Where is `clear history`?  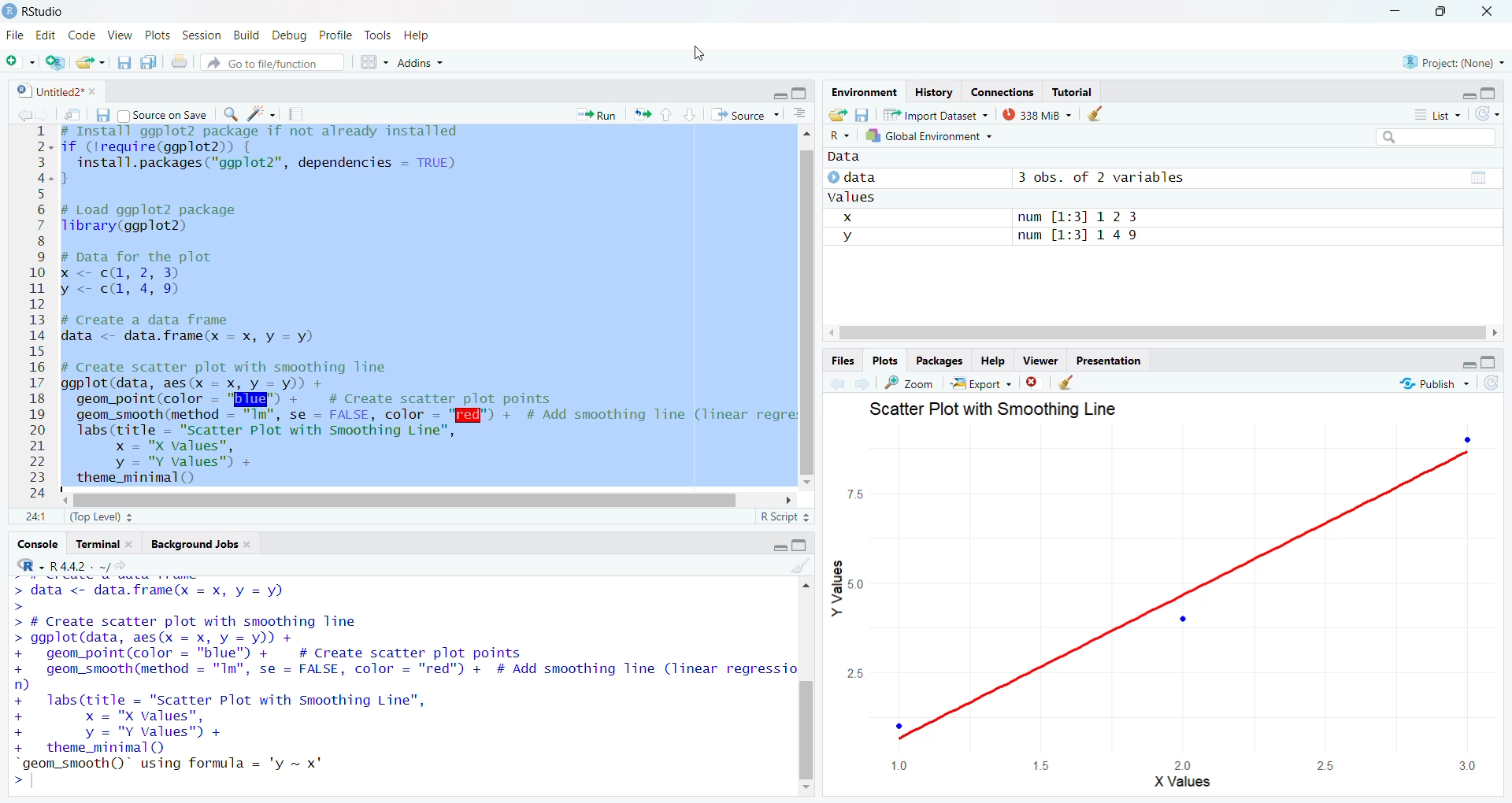 clear history is located at coordinates (1102, 113).